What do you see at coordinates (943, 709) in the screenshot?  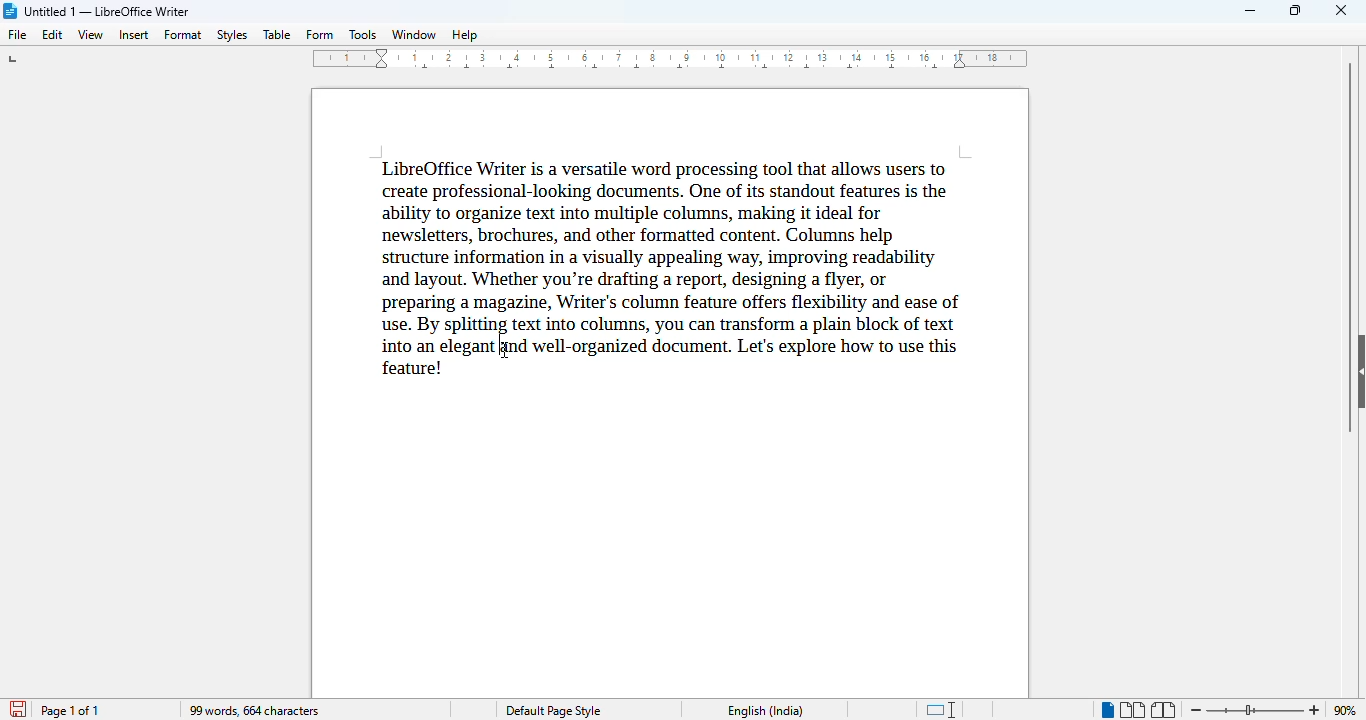 I see `standard selection` at bounding box center [943, 709].